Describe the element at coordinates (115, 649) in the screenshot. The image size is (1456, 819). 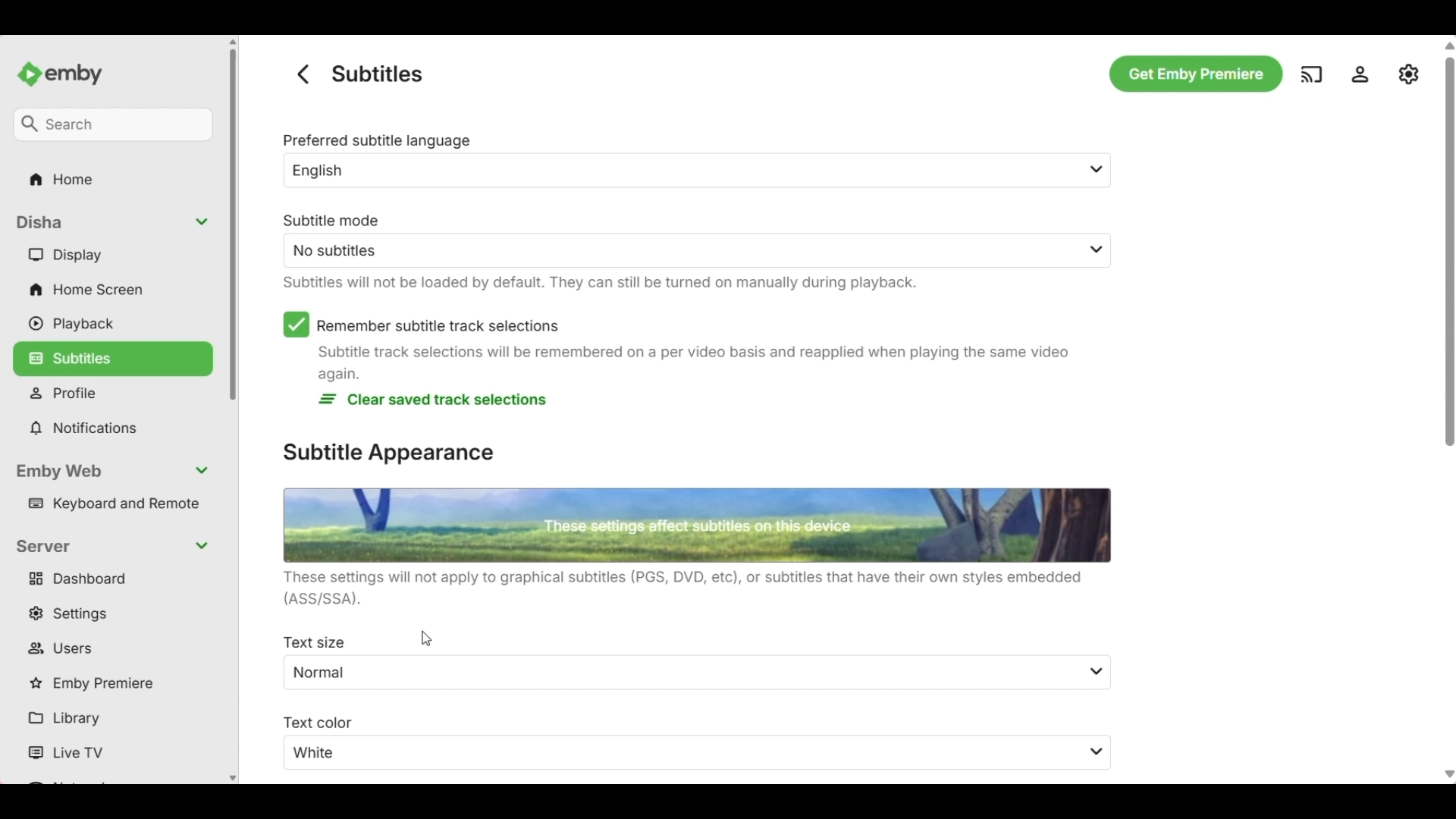
I see `Users` at that location.